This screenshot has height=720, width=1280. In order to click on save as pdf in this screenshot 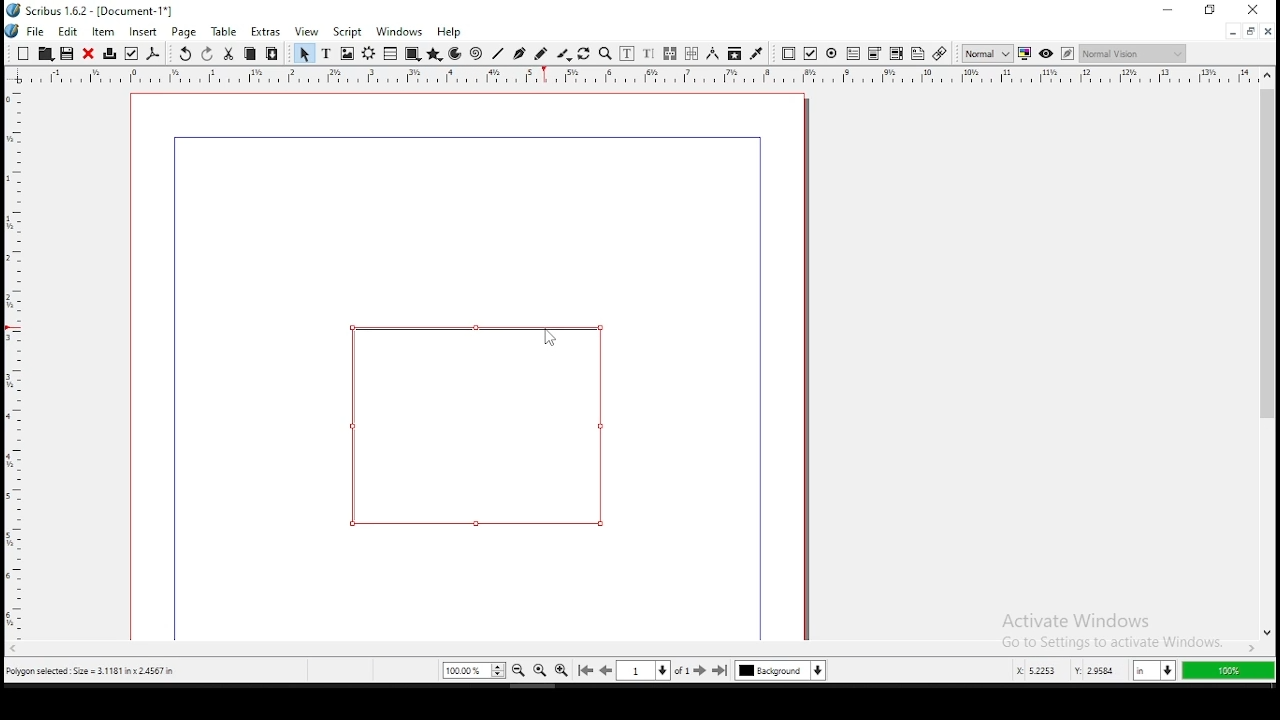, I will do `click(153, 54)`.